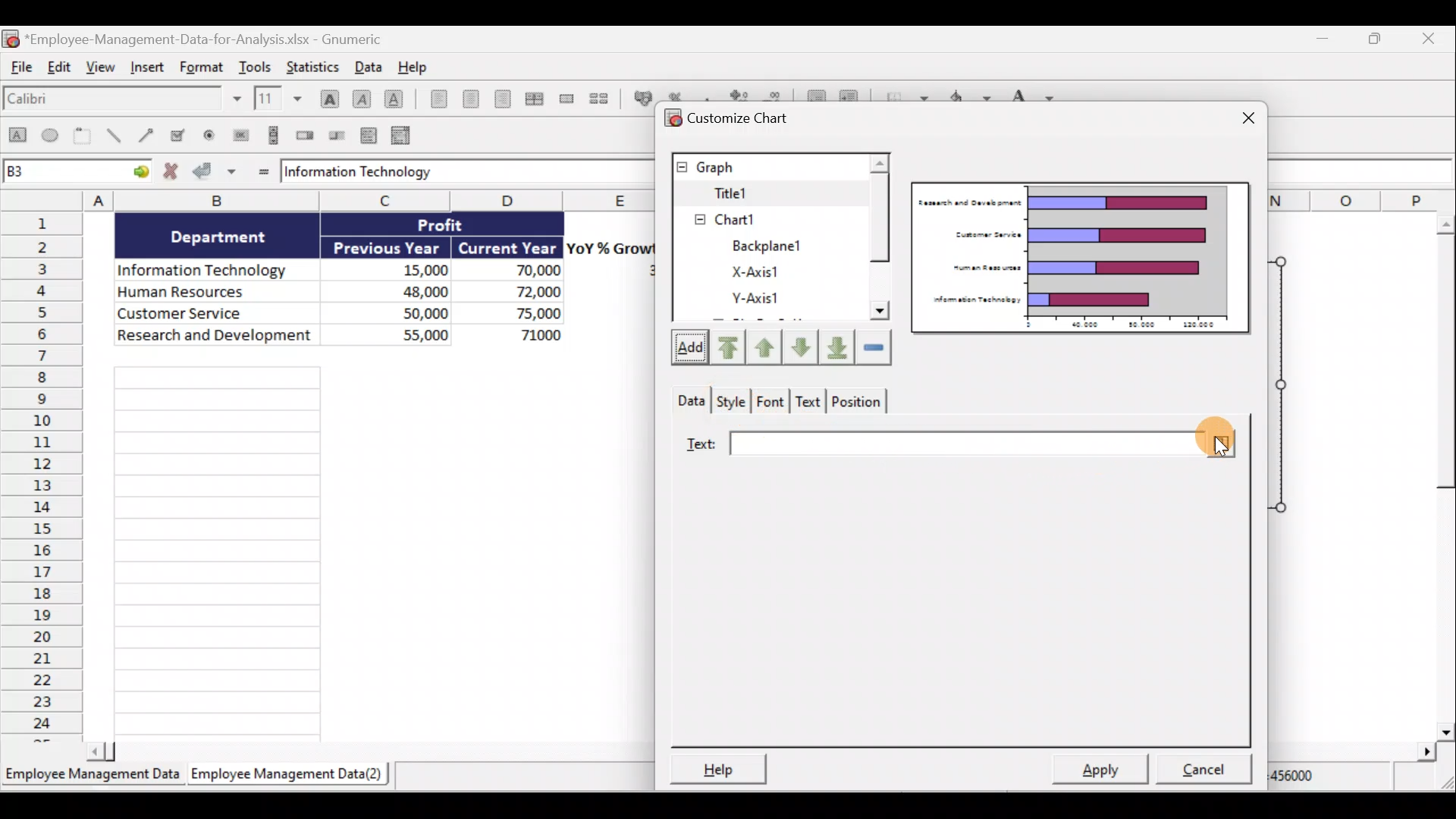 Image resolution: width=1456 pixels, height=819 pixels. I want to click on Create a checkbox, so click(184, 135).